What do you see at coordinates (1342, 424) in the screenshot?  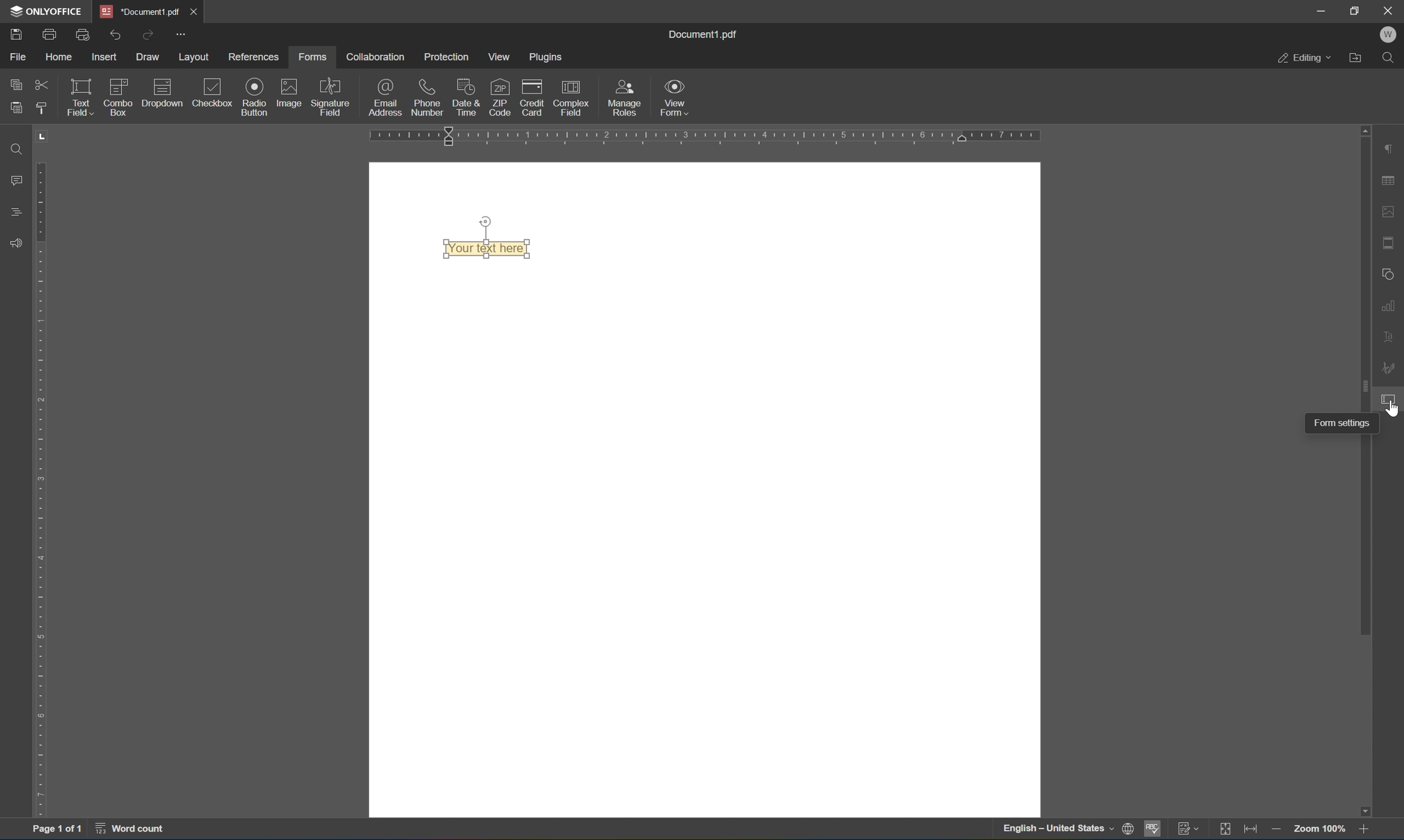 I see `form settings` at bounding box center [1342, 424].